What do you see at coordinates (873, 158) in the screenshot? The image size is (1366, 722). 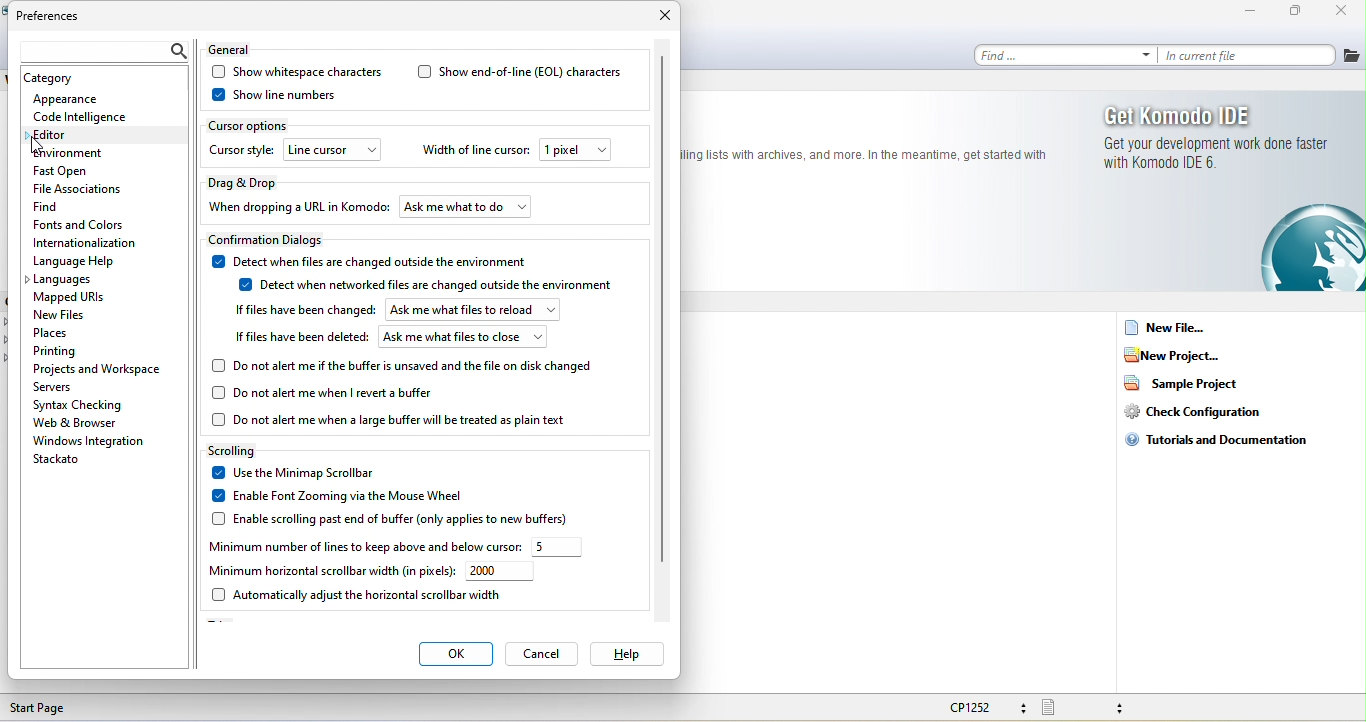 I see `when connected to the internet this panel provide link to komodo resources including the community site mailing list with archive and more.` at bounding box center [873, 158].